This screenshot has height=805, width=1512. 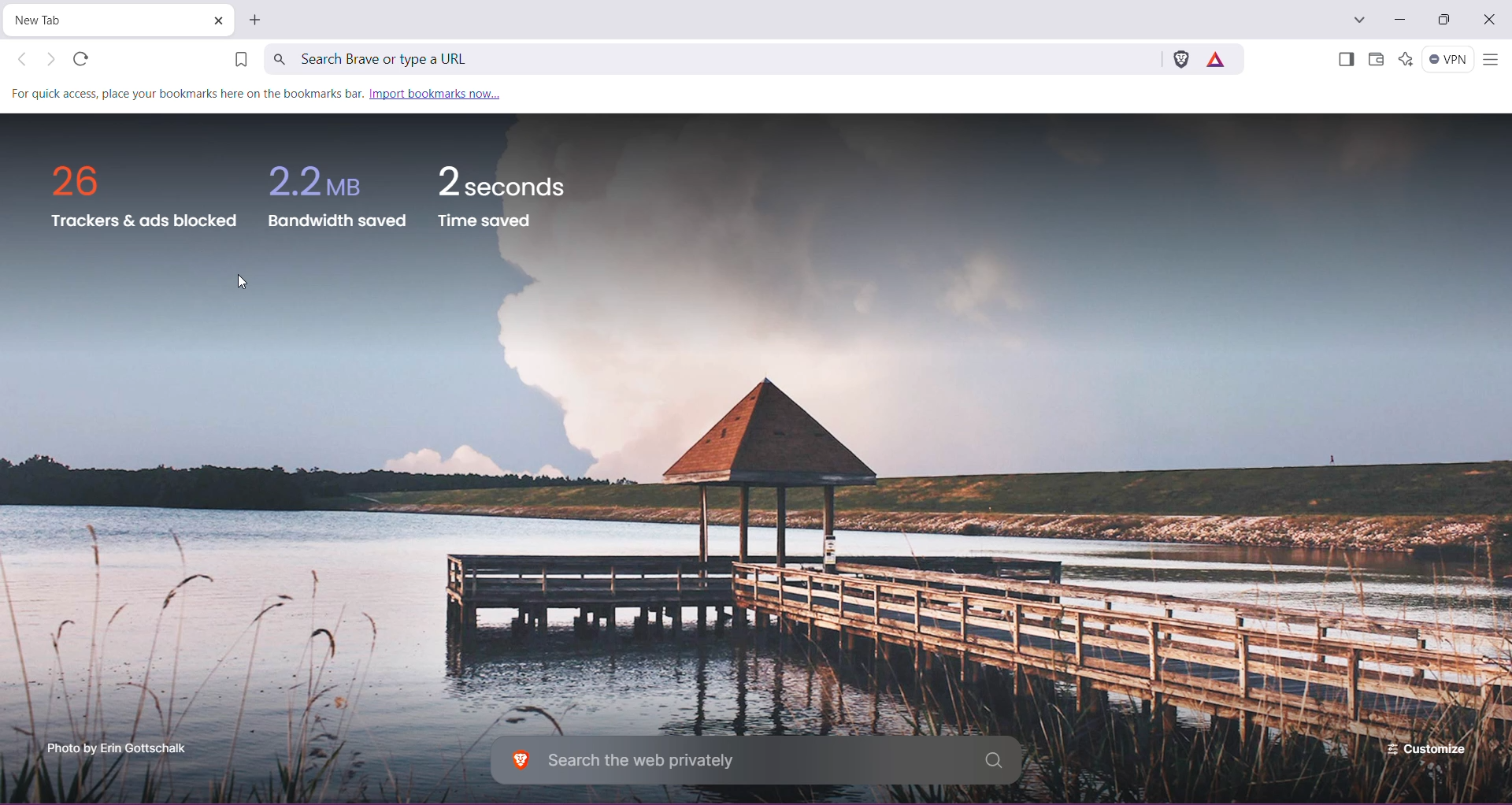 I want to click on for quick access place your bookmarks here on the bookmark bar. import bookmarks now, so click(x=269, y=95).